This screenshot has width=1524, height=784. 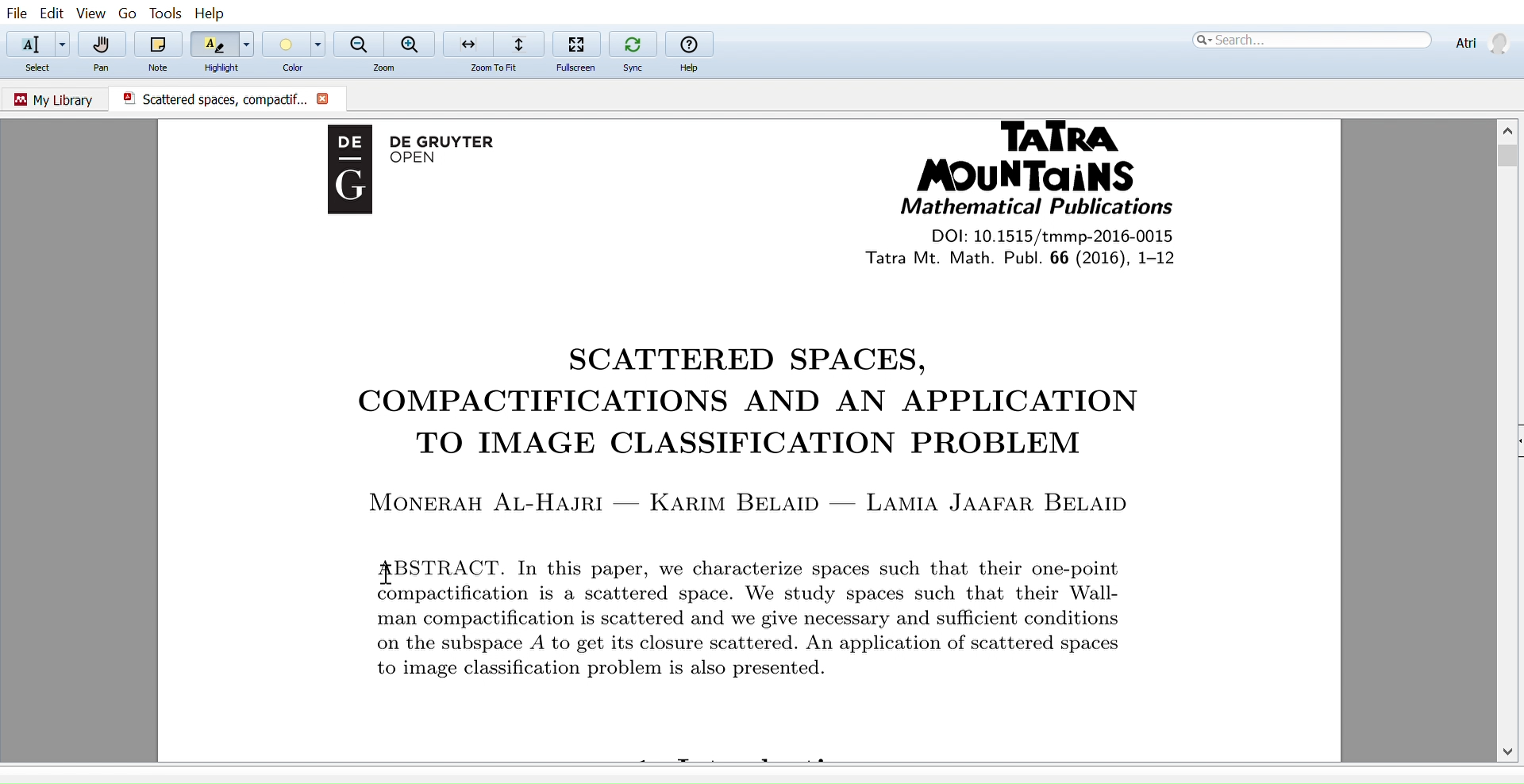 I want to click on Help, so click(x=692, y=68).